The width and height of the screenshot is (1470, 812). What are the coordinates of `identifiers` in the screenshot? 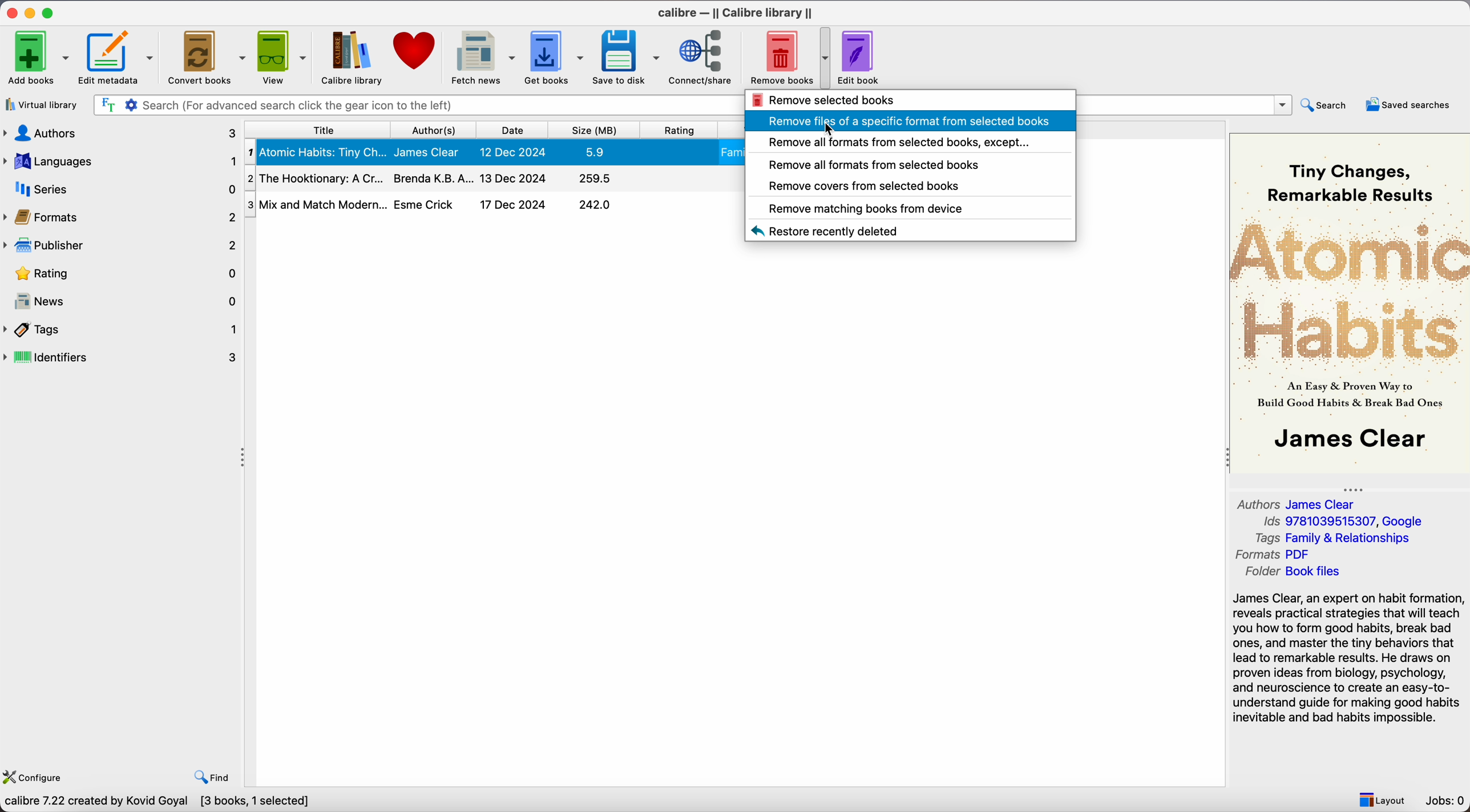 It's located at (122, 357).